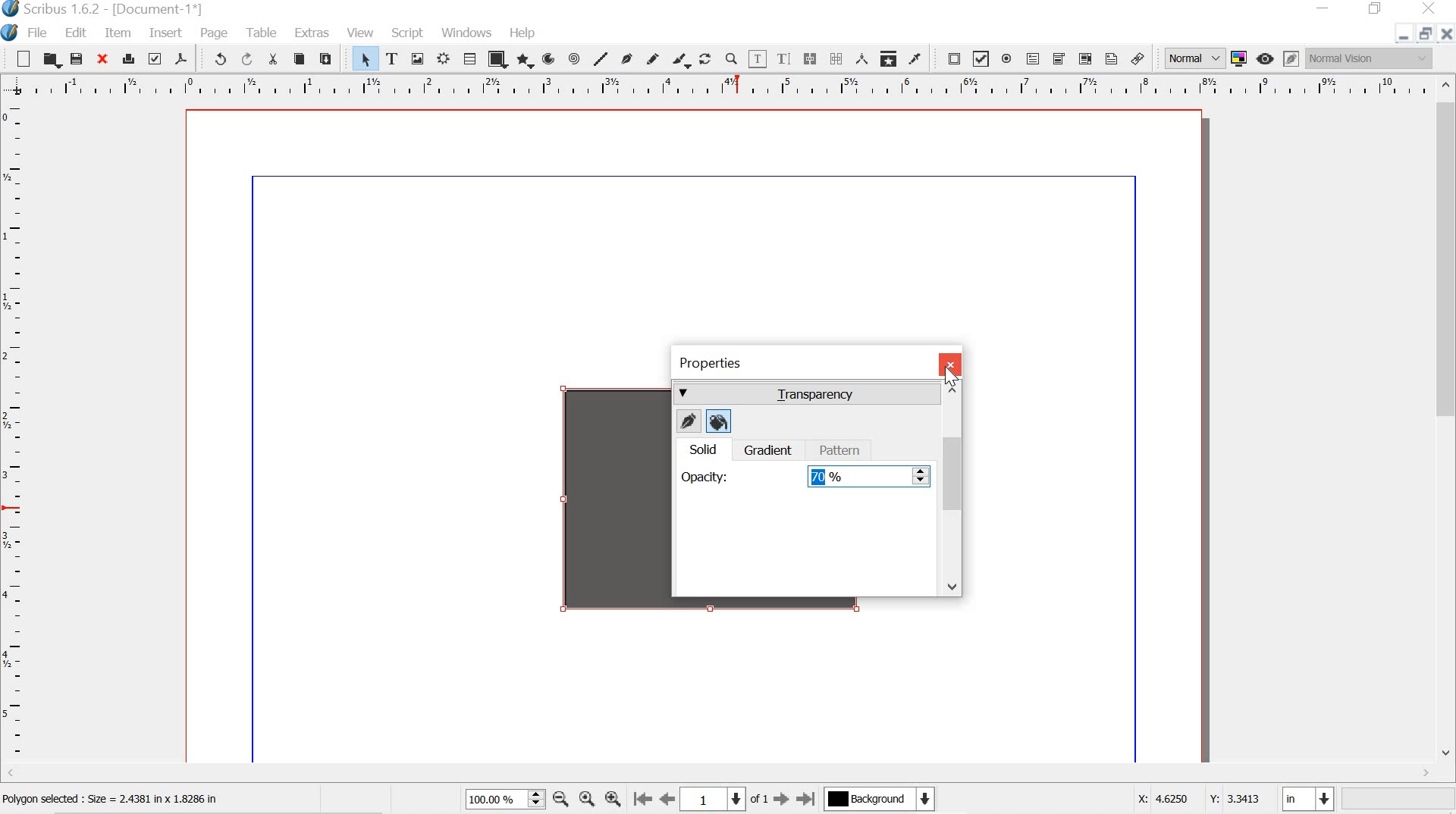 Image resolution: width=1456 pixels, height=814 pixels. Describe the element at coordinates (786, 60) in the screenshot. I see `edit text with story editor` at that location.